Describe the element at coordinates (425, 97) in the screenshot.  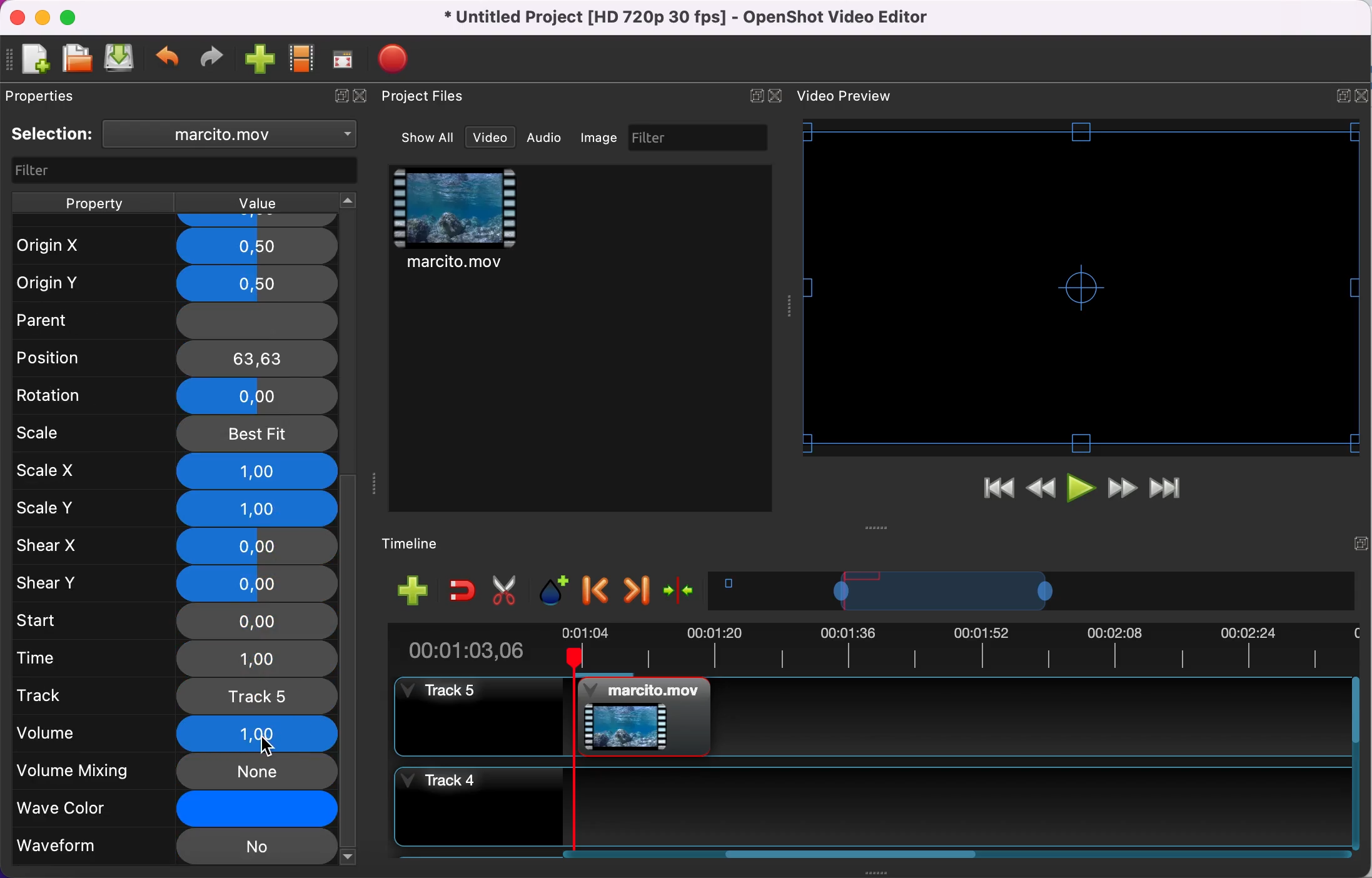
I see `project files` at that location.